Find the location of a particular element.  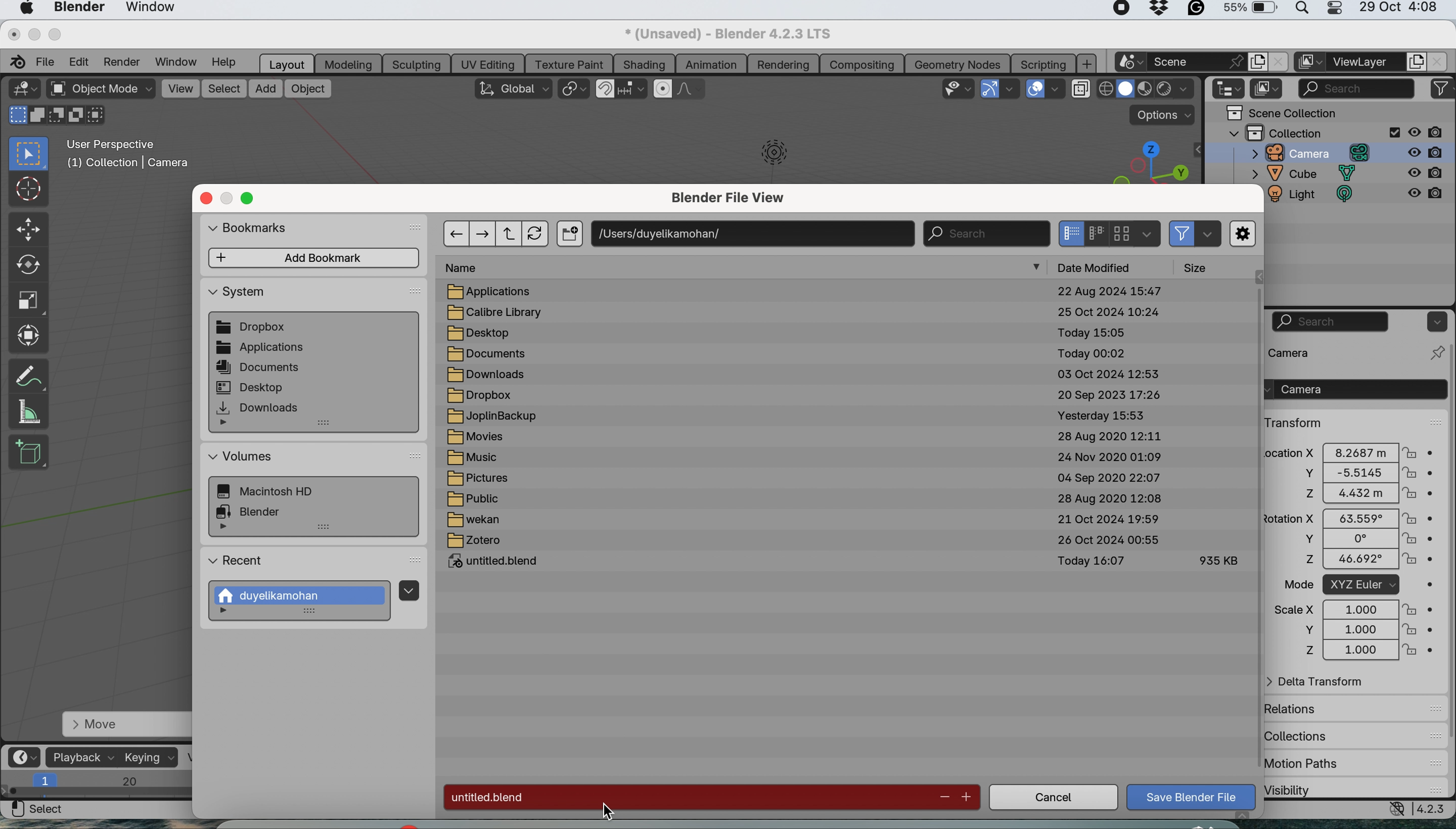

29 Oct 4:08 is located at coordinates (1399, 8).